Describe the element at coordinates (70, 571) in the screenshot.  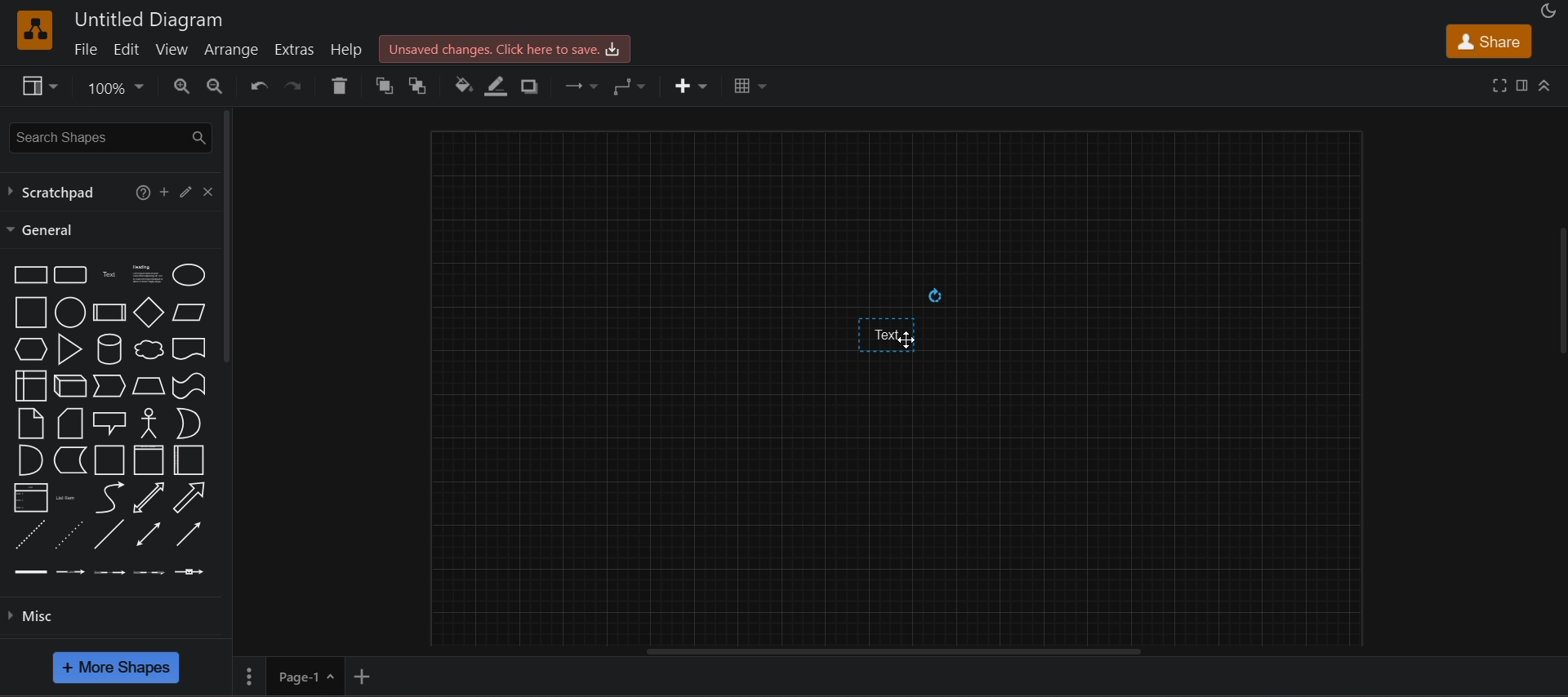
I see `Connector with labels` at that location.